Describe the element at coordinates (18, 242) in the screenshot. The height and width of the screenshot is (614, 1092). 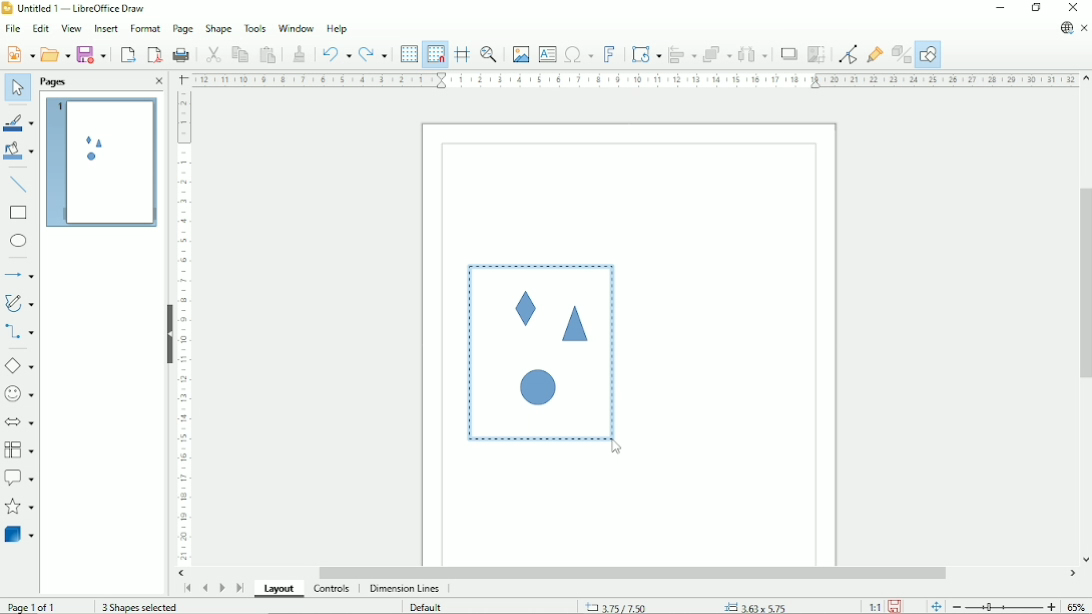
I see `Ellipse` at that location.